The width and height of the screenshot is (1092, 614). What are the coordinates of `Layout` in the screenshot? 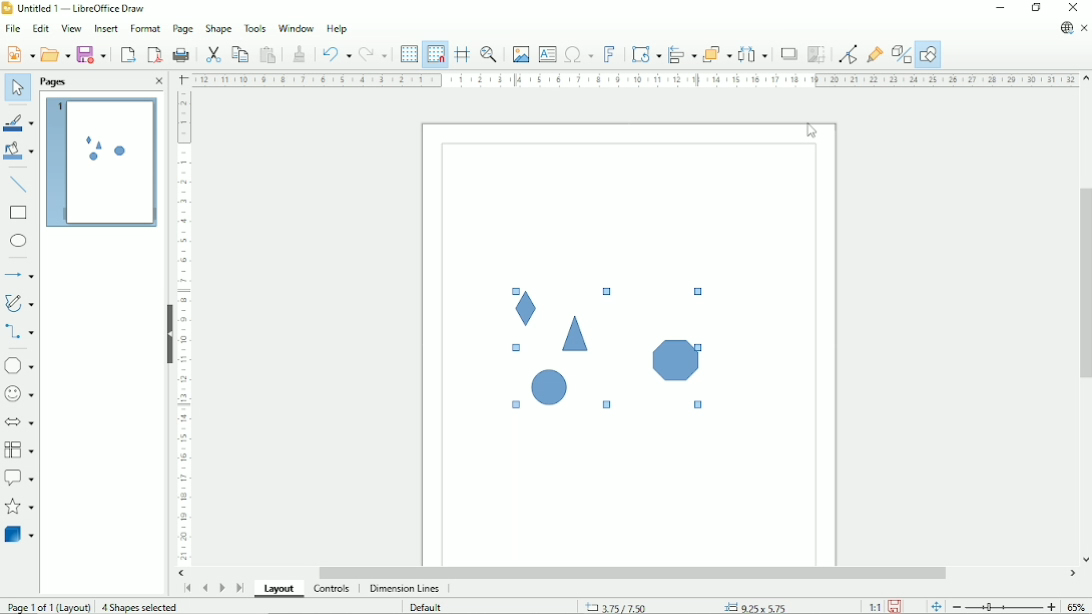 It's located at (279, 588).